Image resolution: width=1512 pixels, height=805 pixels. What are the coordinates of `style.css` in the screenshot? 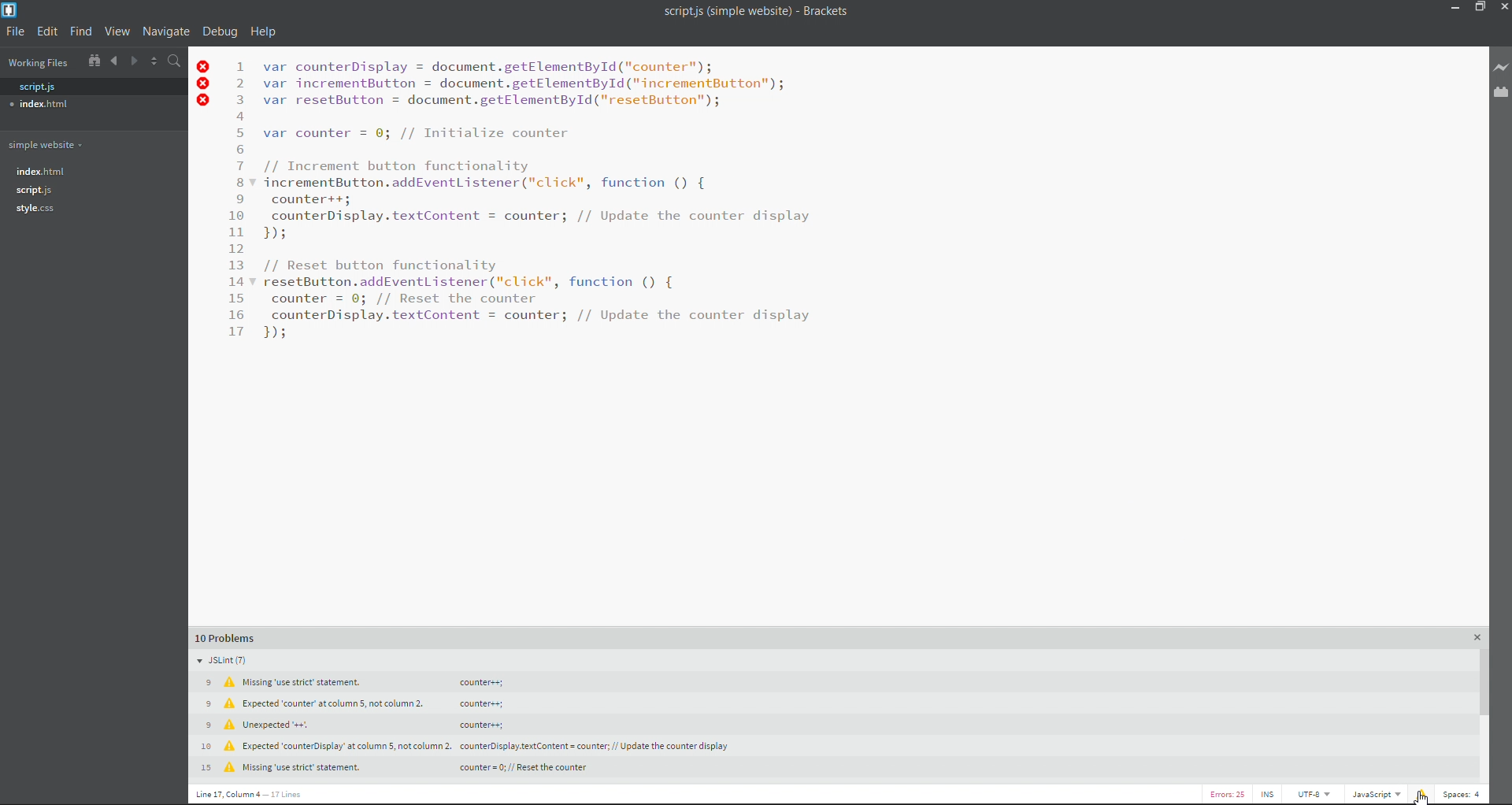 It's located at (37, 209).